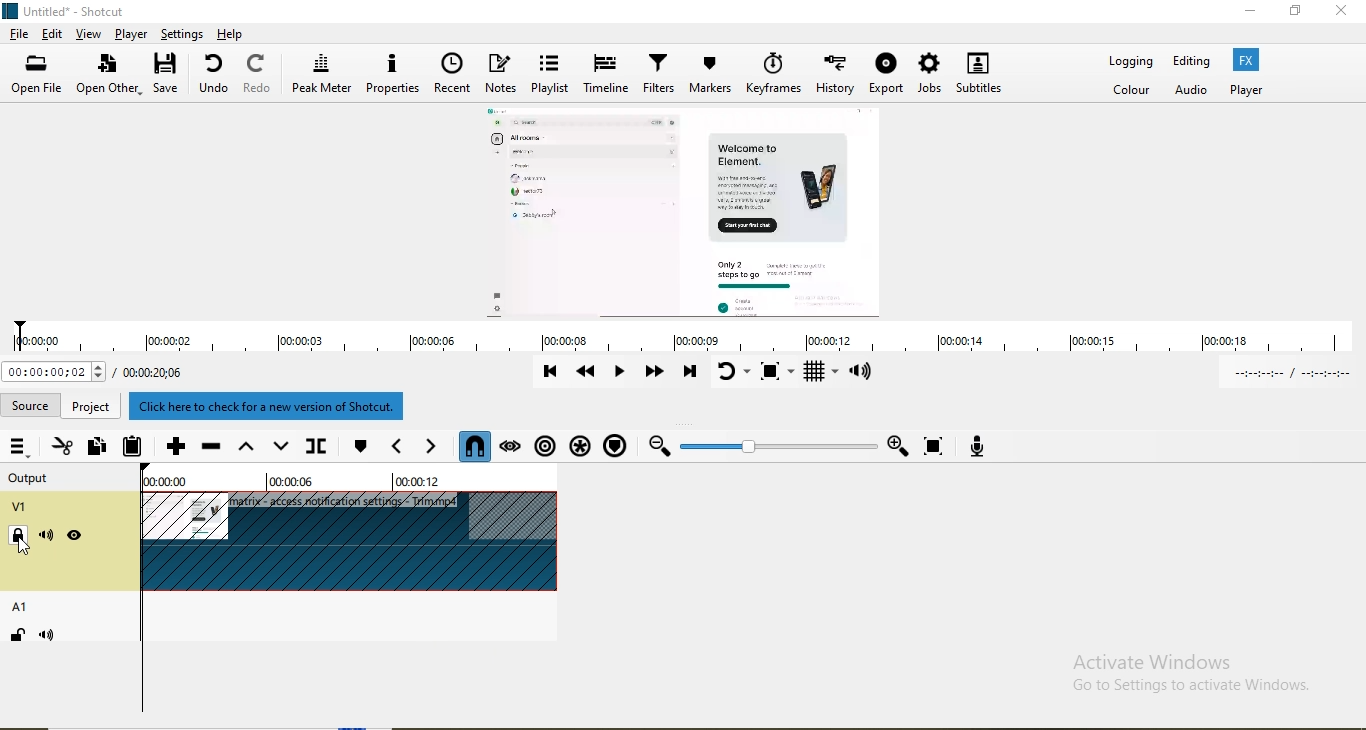 This screenshot has height=730, width=1366. What do you see at coordinates (246, 449) in the screenshot?
I see `Lift` at bounding box center [246, 449].